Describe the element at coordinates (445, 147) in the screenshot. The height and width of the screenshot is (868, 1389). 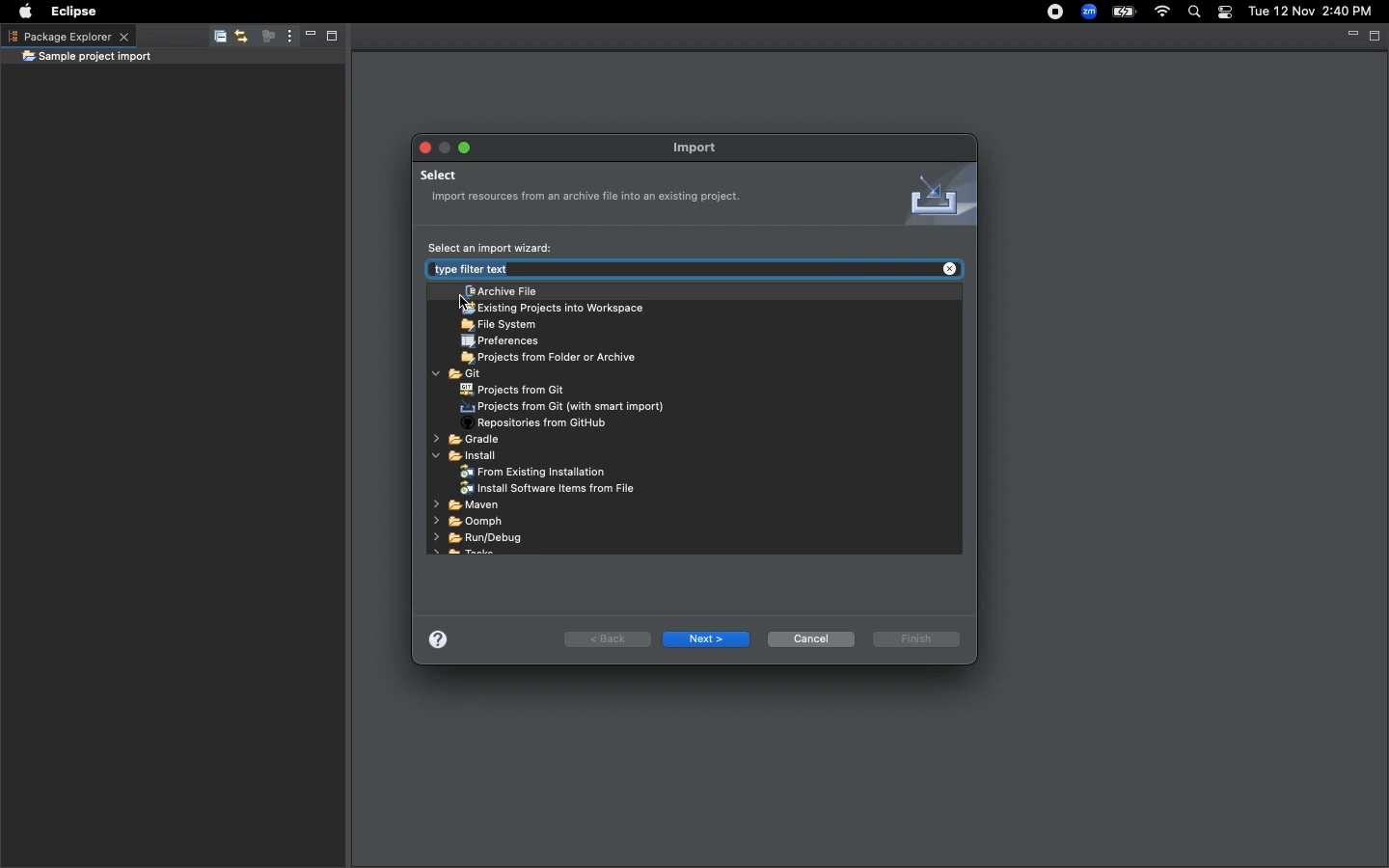
I see `Minimize` at that location.